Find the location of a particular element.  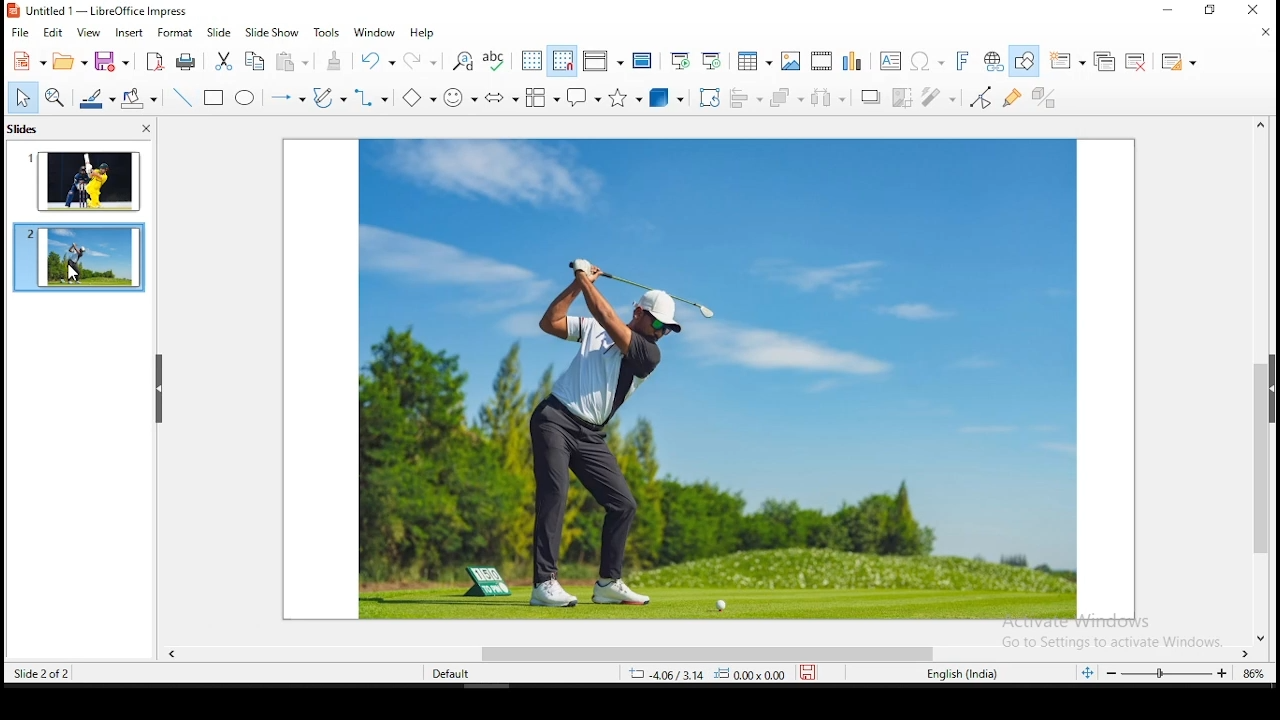

select is located at coordinates (21, 97).